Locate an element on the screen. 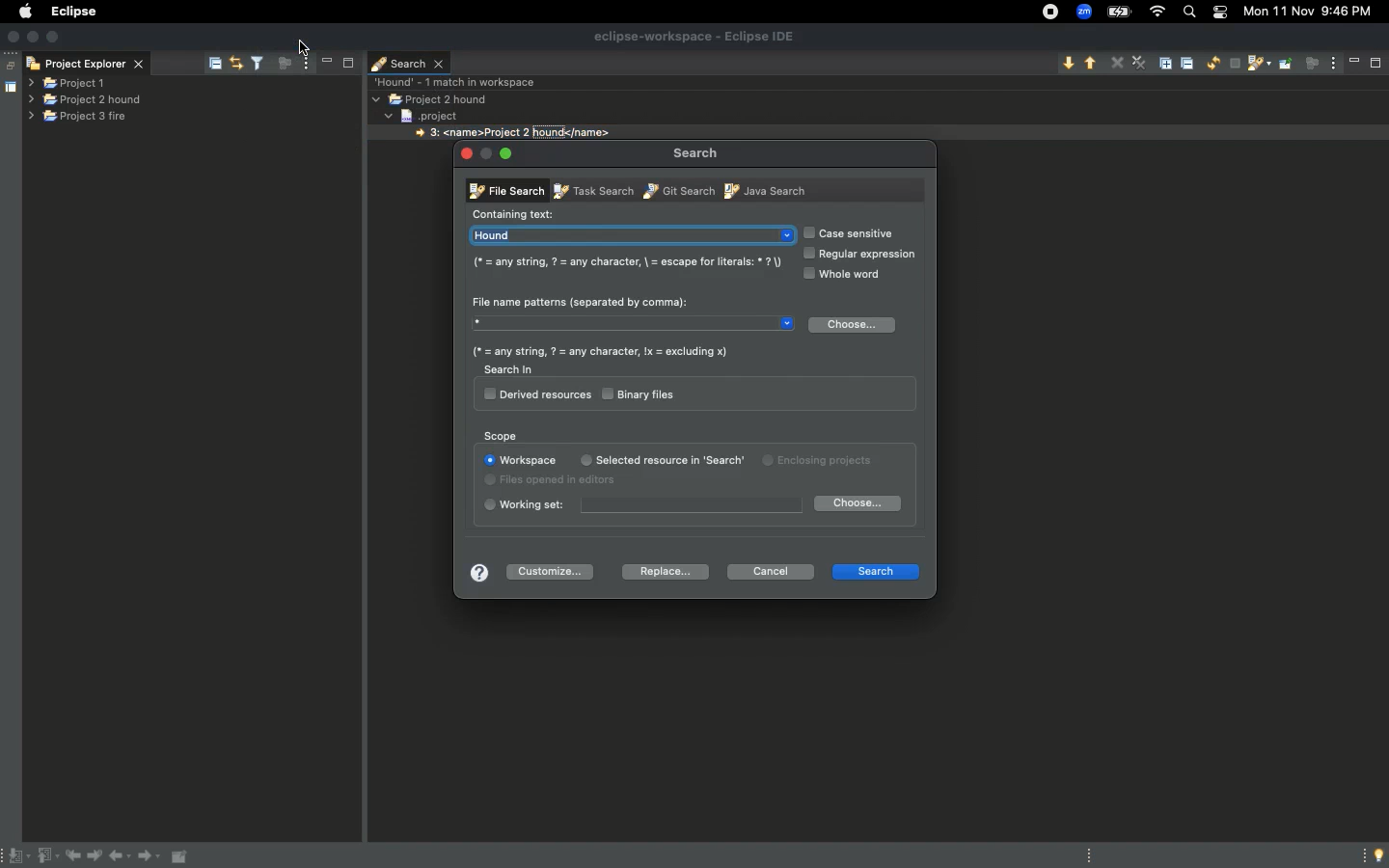 Image resolution: width=1389 pixels, height=868 pixels. Pin editor is located at coordinates (181, 856).